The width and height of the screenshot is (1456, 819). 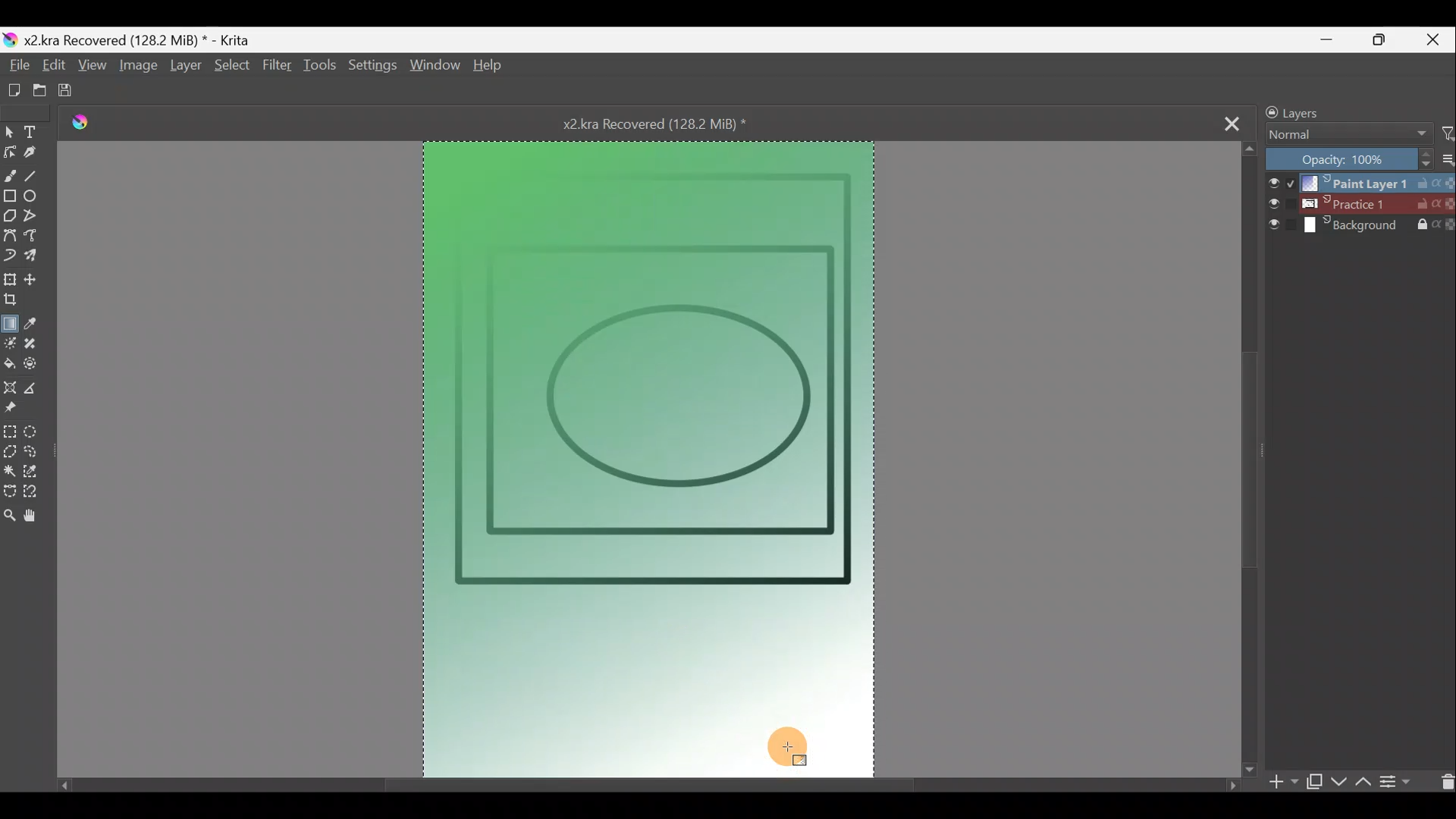 I want to click on Image, so click(x=136, y=68).